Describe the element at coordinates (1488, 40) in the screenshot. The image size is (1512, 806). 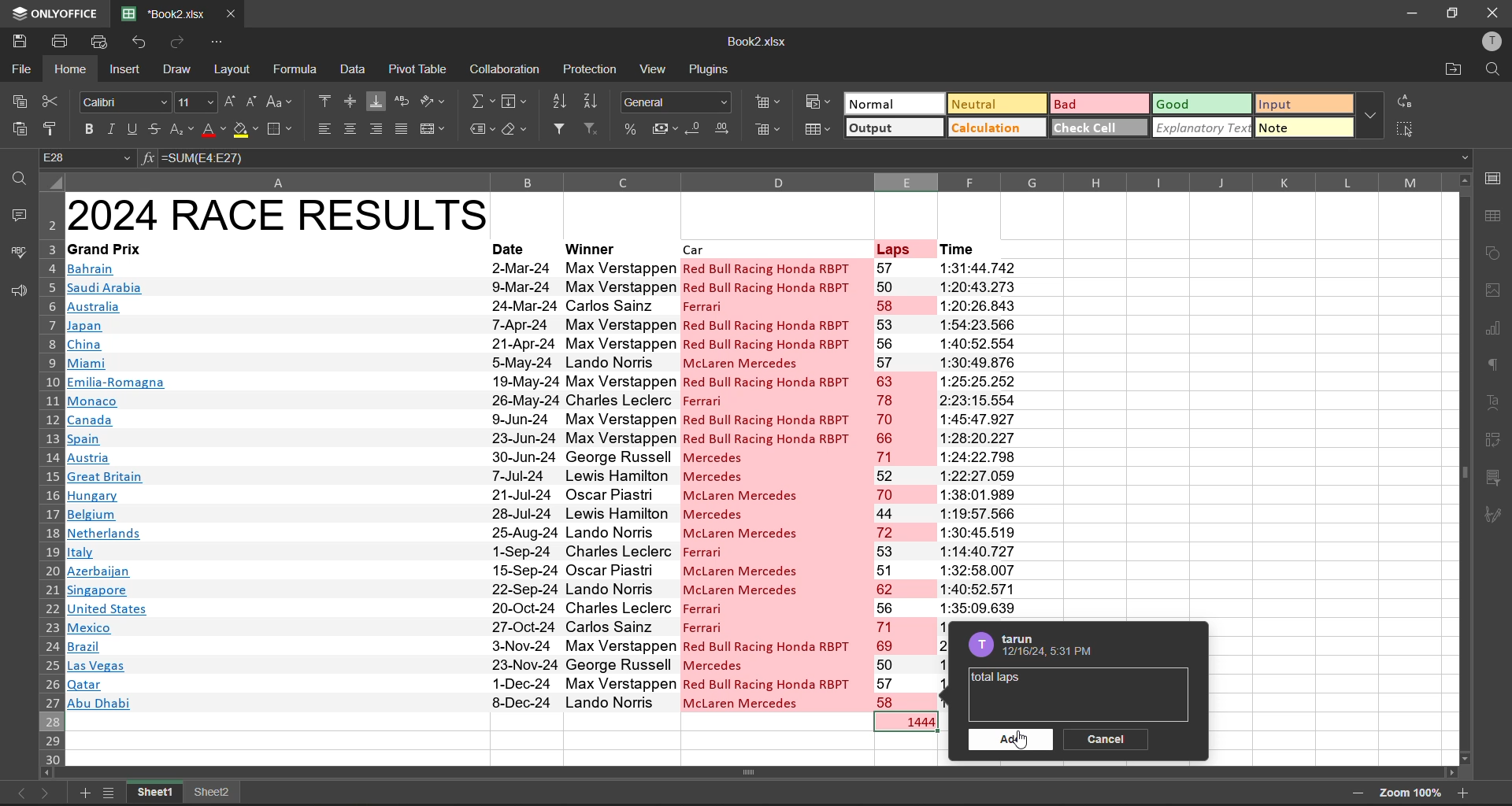
I see `profile` at that location.